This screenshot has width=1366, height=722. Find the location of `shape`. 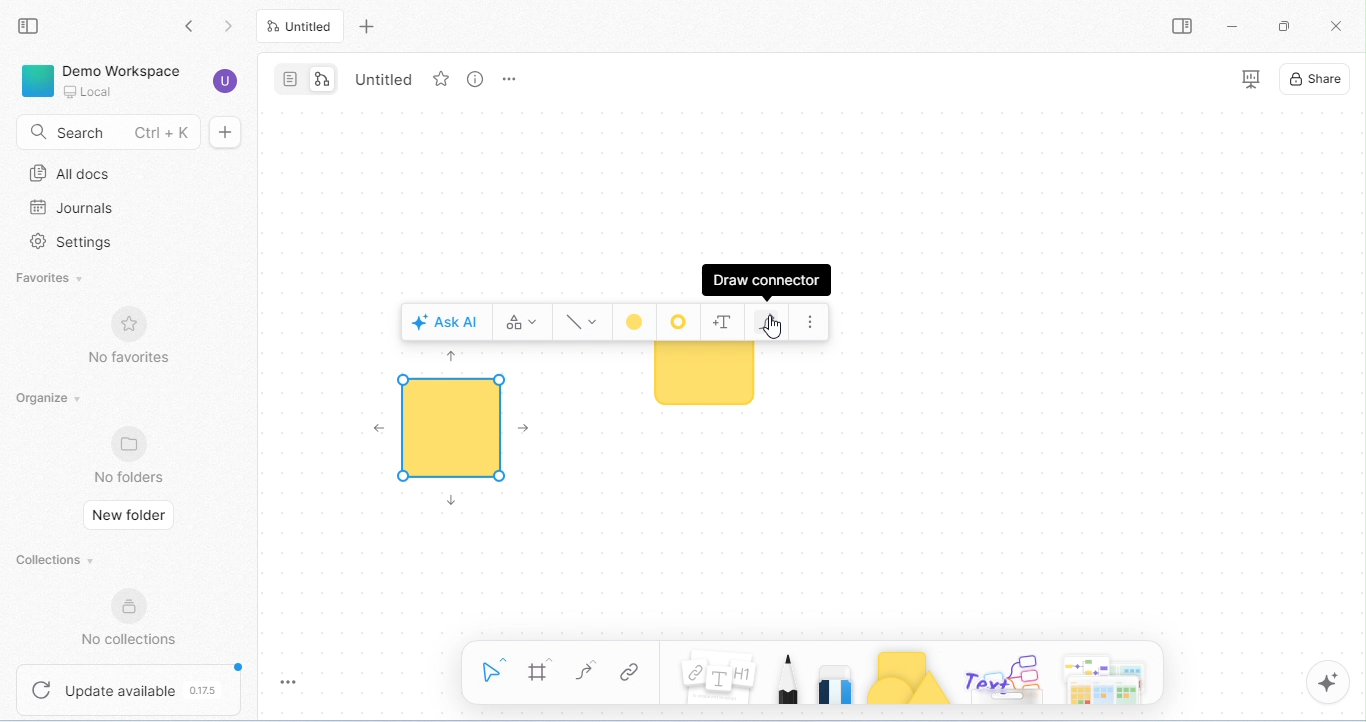

shape is located at coordinates (452, 427).